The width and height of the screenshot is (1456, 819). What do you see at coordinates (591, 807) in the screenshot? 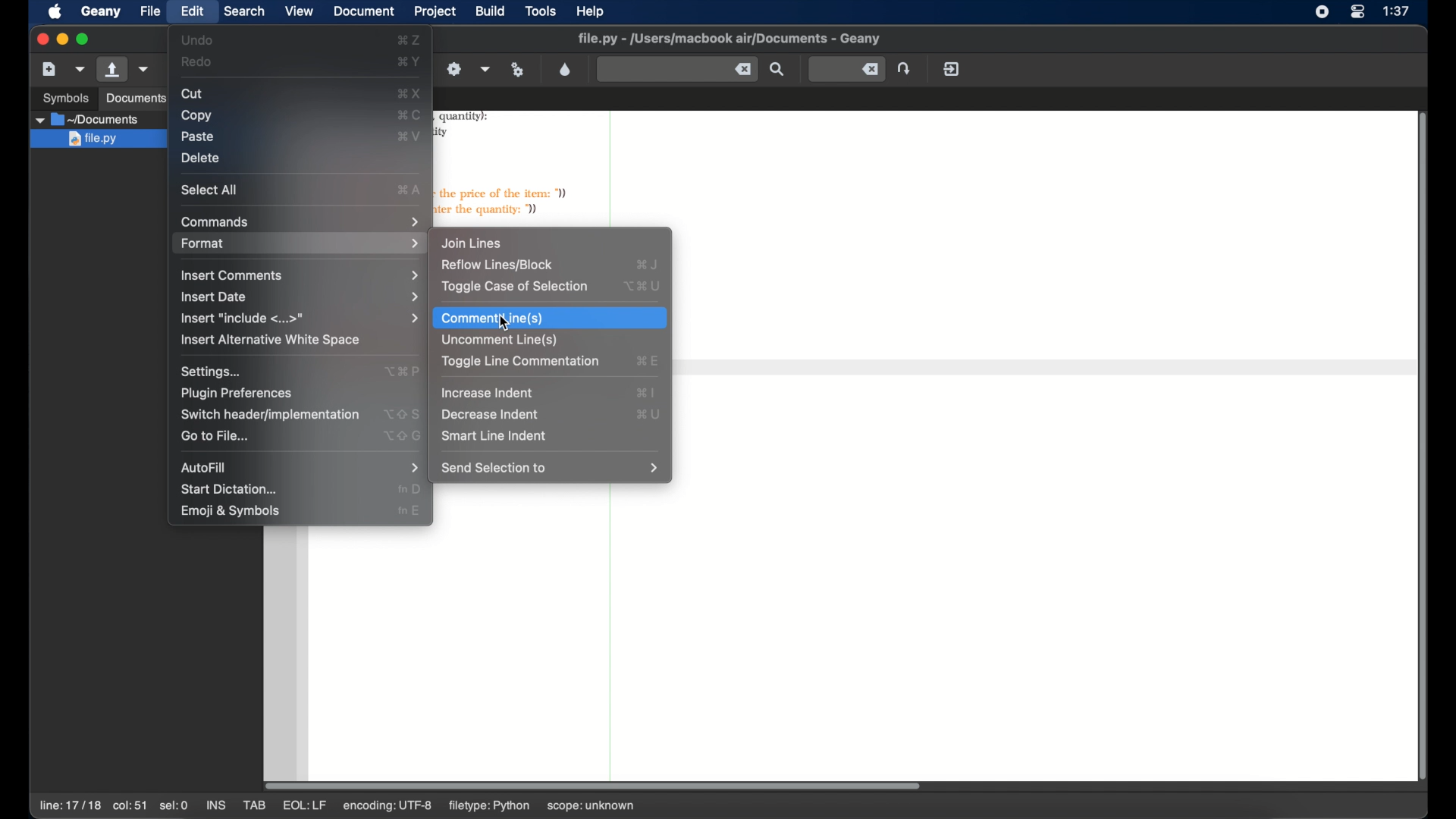
I see `scope: unknown` at bounding box center [591, 807].